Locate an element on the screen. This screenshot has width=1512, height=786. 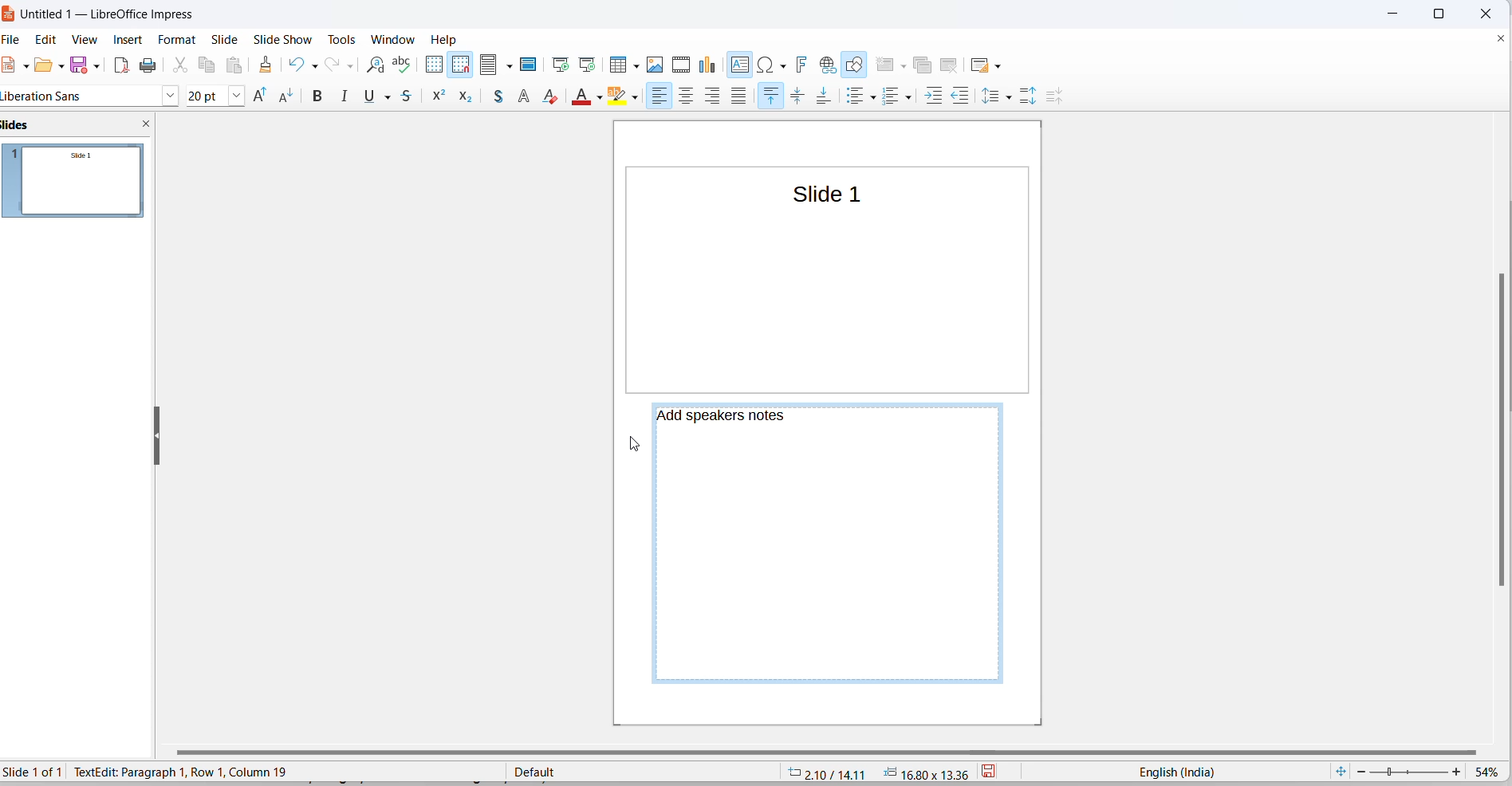
window is located at coordinates (392, 38).